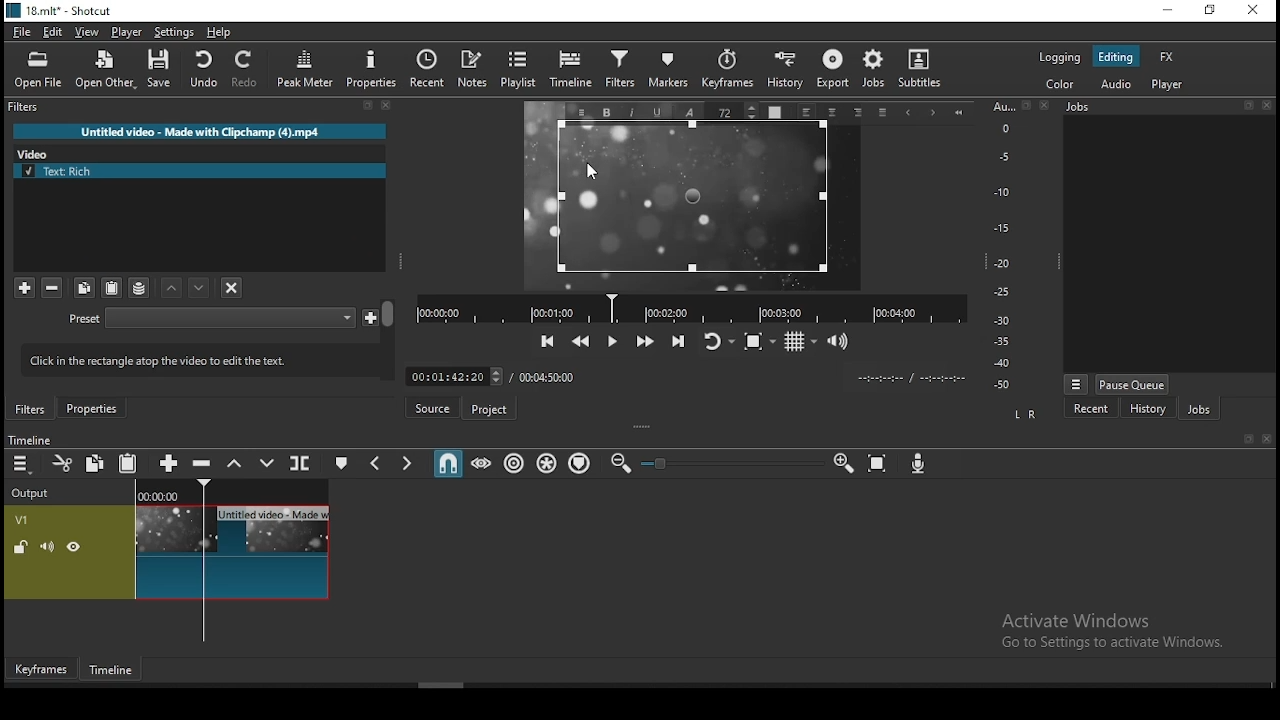 The image size is (1280, 720). What do you see at coordinates (431, 407) in the screenshot?
I see `source` at bounding box center [431, 407].